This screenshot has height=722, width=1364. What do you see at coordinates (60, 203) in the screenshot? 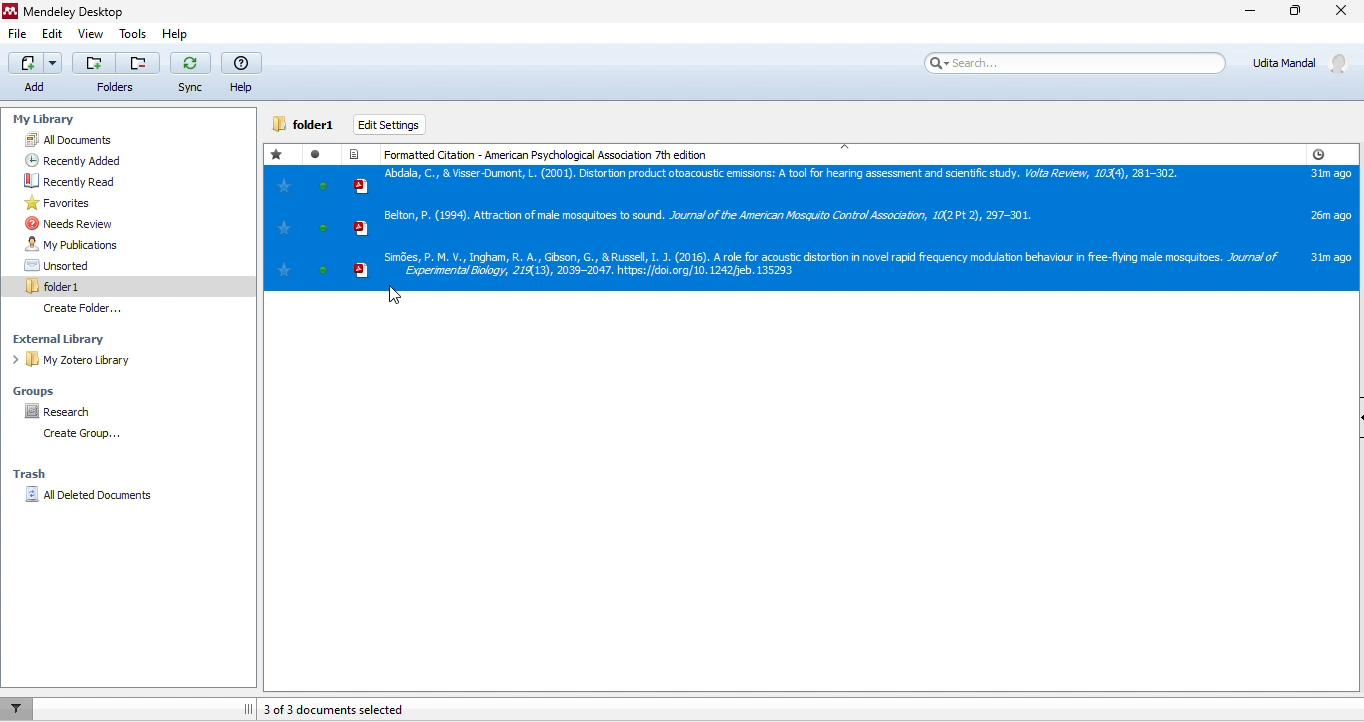
I see `favorites` at bounding box center [60, 203].